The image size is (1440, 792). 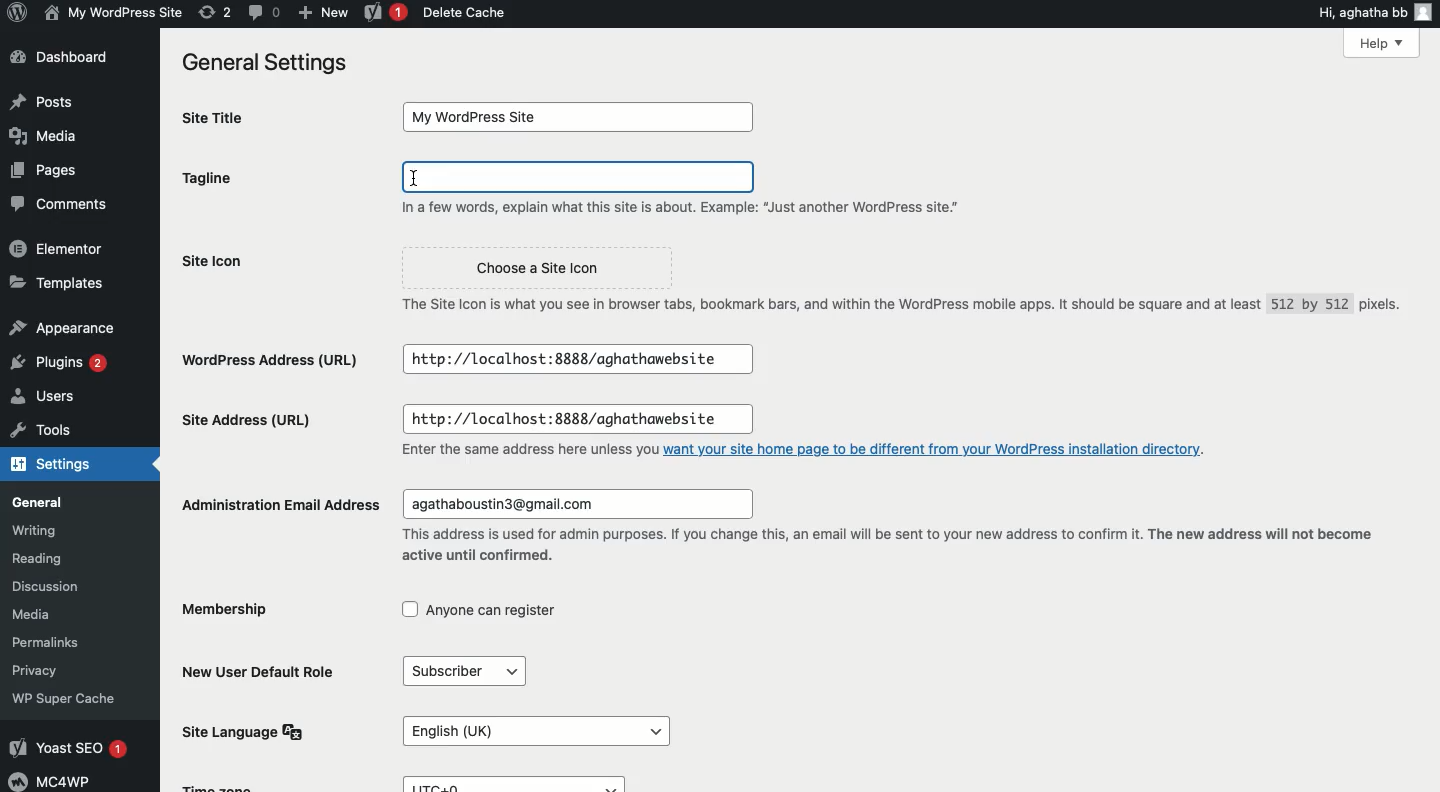 What do you see at coordinates (516, 783) in the screenshot?
I see `UTC+0` at bounding box center [516, 783].